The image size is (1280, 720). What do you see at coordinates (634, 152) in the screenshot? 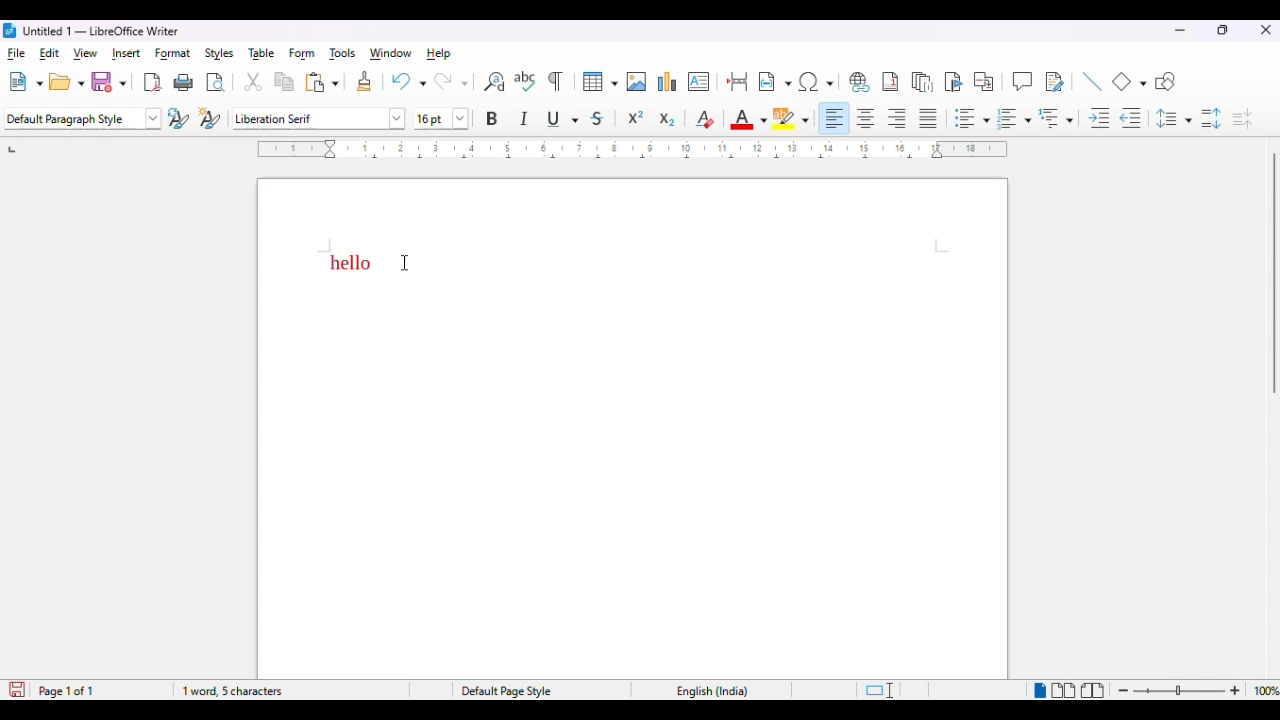
I see `ruler` at bounding box center [634, 152].